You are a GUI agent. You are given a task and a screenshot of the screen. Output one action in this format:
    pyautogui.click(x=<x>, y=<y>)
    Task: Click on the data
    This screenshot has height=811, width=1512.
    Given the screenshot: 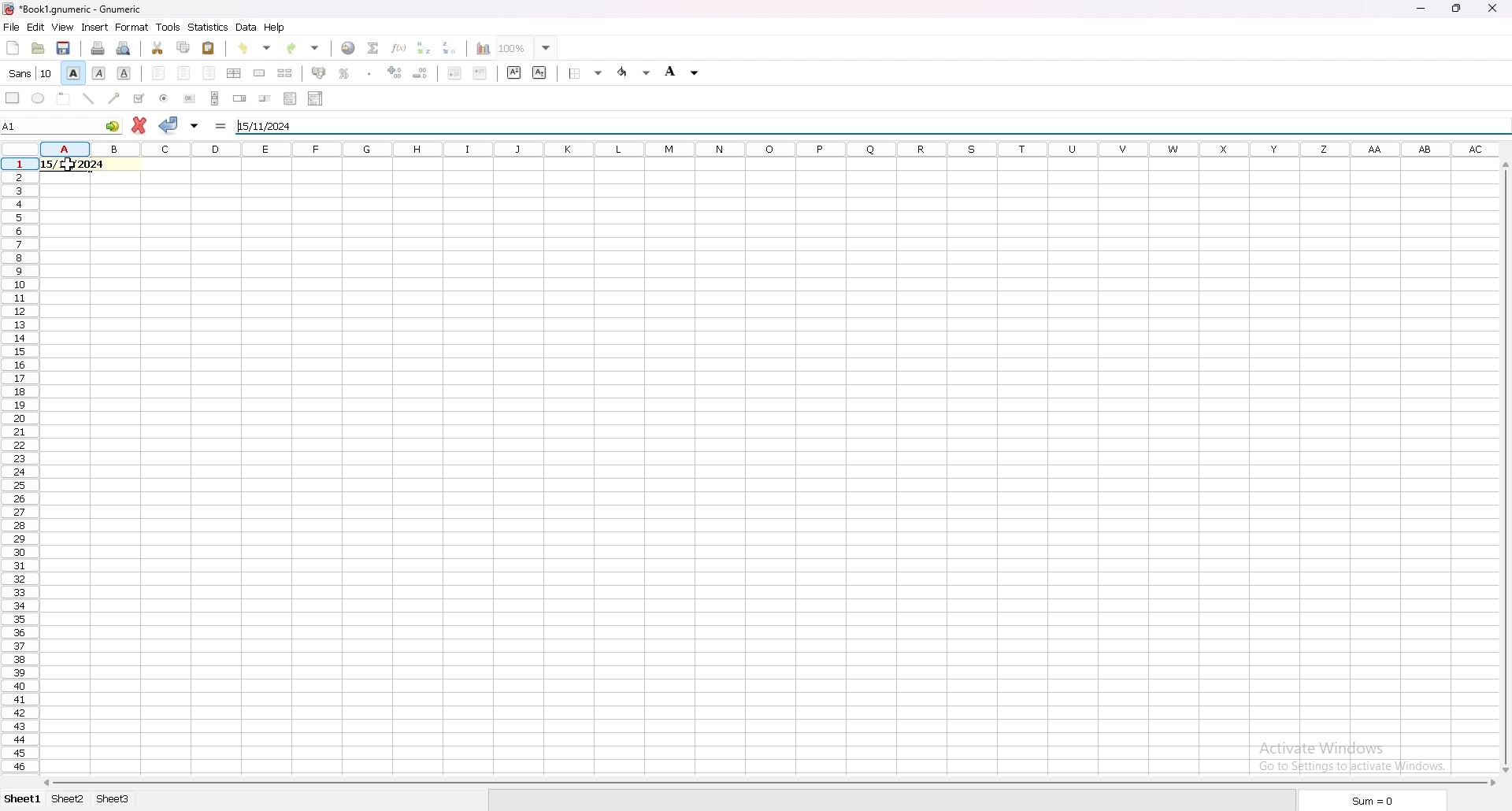 What is the action you would take?
    pyautogui.click(x=247, y=27)
    